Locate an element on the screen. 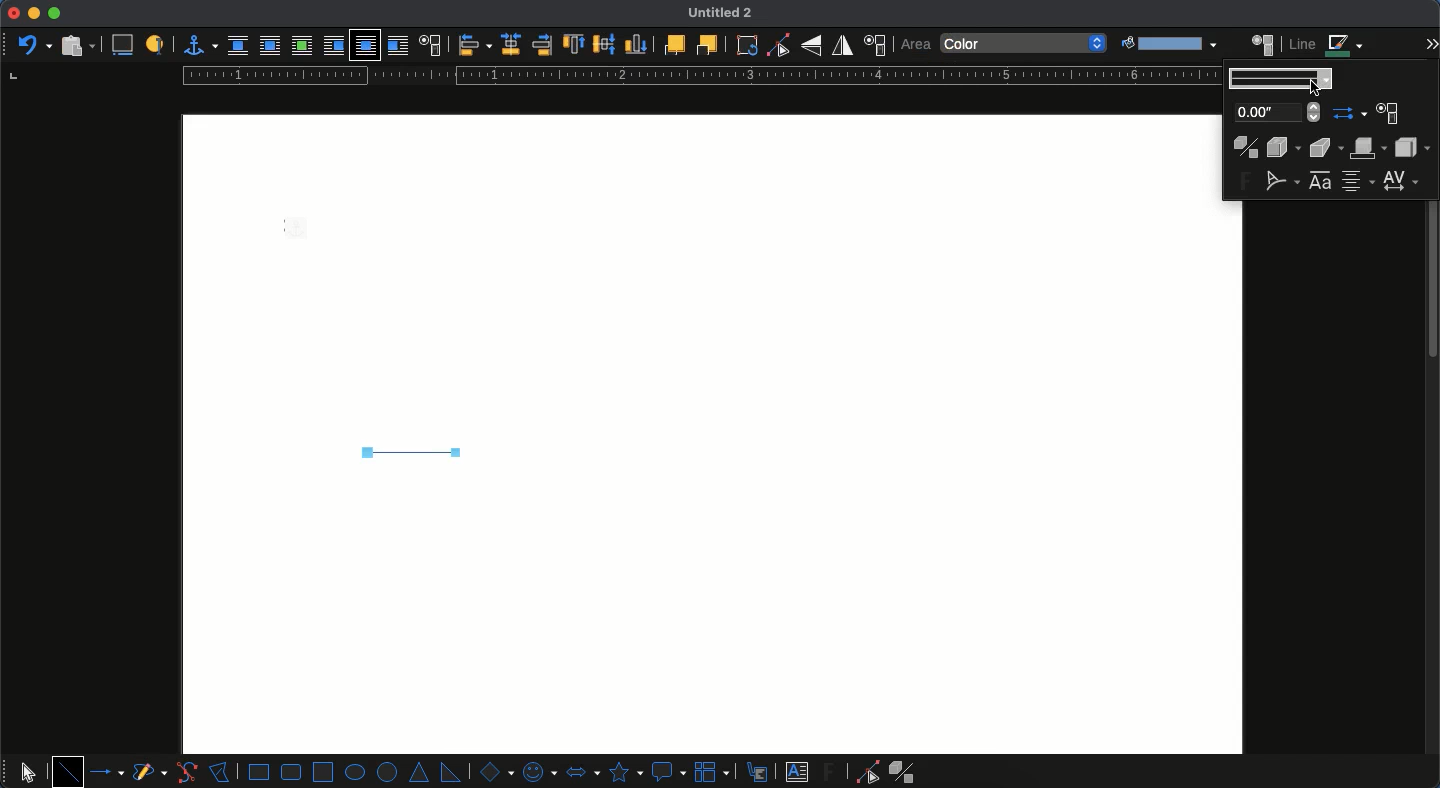 Image resolution: width=1440 pixels, height=788 pixels. depth is located at coordinates (1284, 147).